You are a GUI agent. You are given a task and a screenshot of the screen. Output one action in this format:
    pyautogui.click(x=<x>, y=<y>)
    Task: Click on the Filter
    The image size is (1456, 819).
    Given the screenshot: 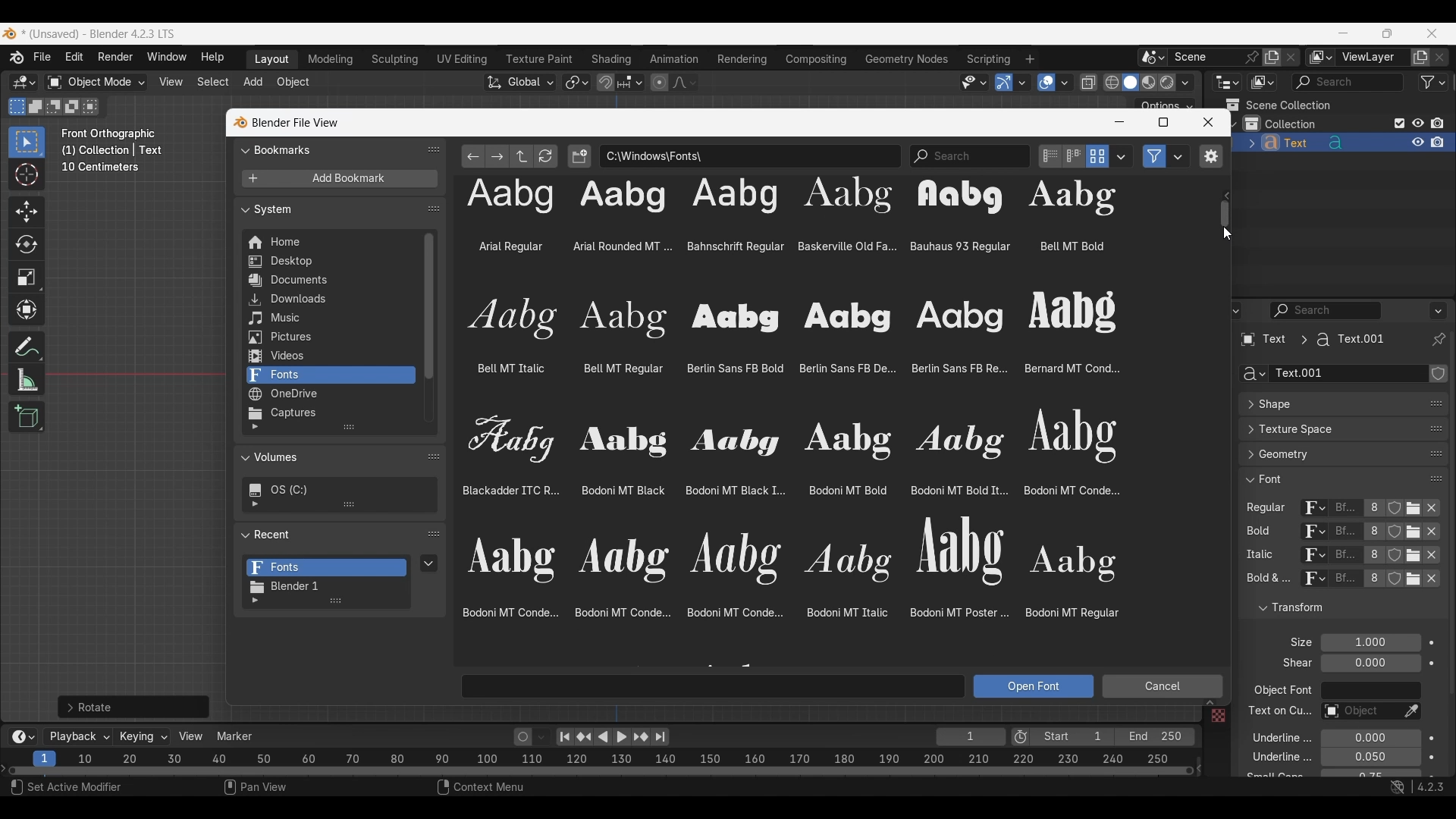 What is the action you would take?
    pyautogui.click(x=1433, y=82)
    